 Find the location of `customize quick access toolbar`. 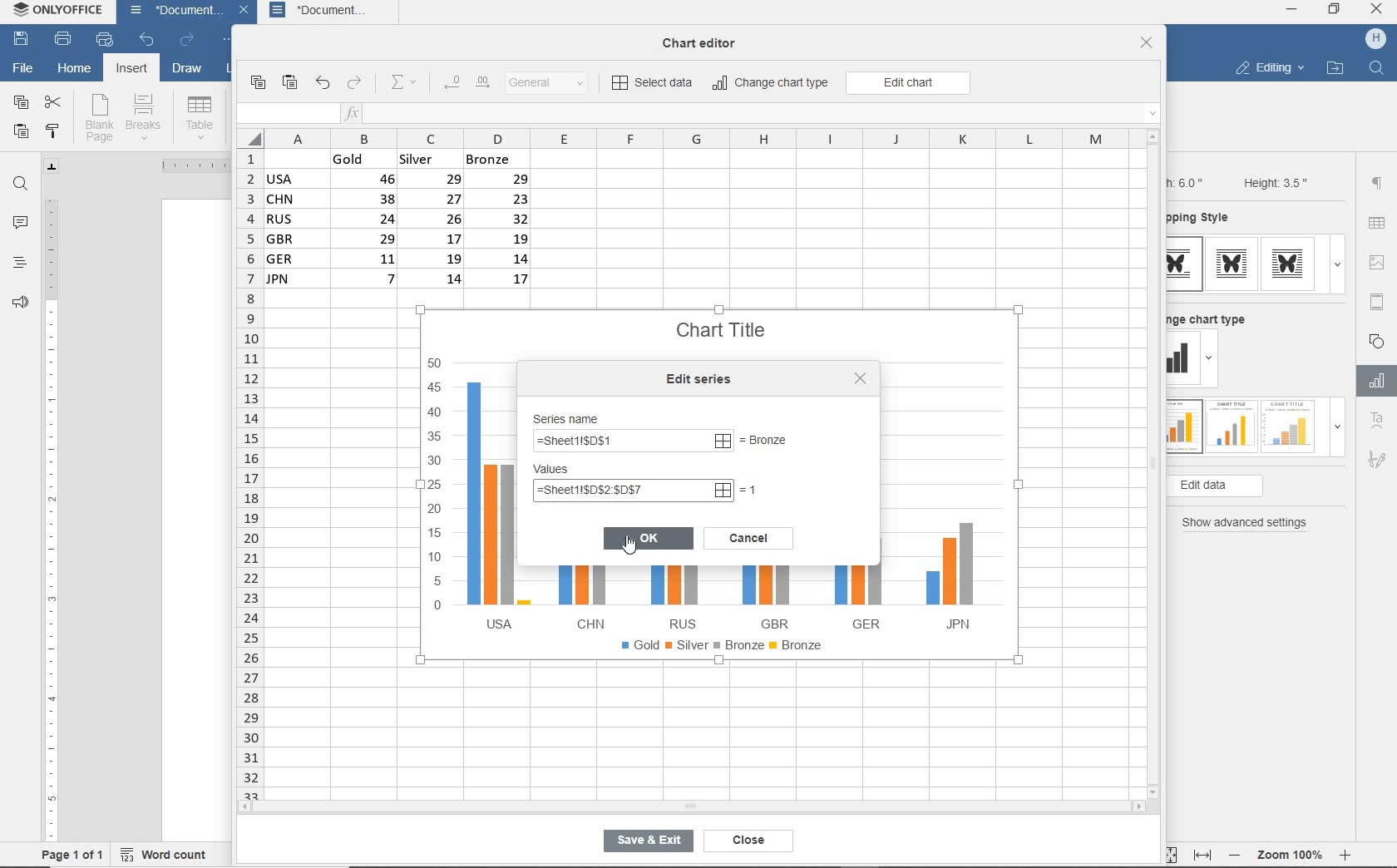

customize quick access toolbar is located at coordinates (230, 42).